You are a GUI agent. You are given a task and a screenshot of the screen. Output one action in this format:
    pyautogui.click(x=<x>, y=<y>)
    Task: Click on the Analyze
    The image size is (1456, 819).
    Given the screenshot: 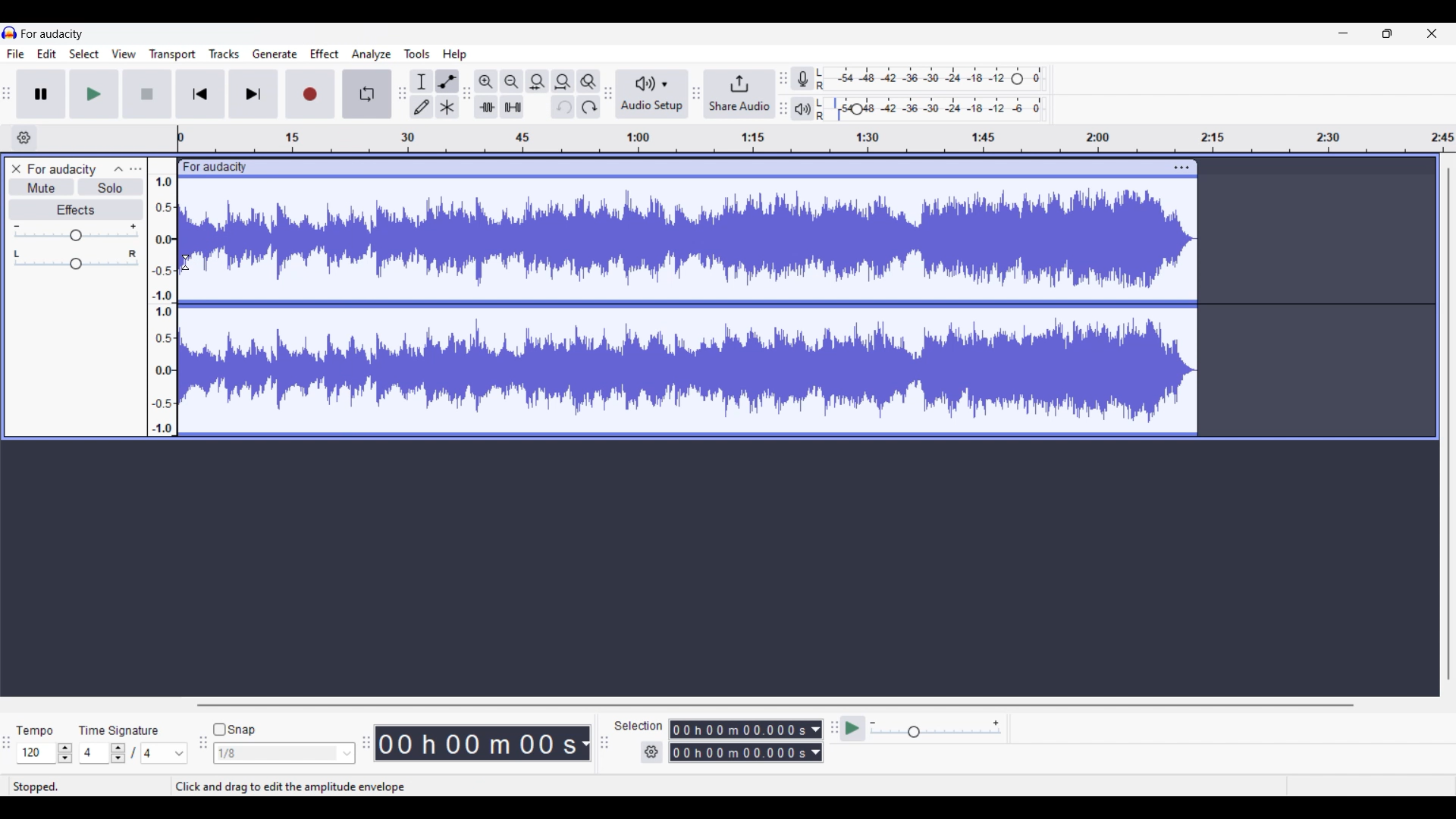 What is the action you would take?
    pyautogui.click(x=372, y=55)
    